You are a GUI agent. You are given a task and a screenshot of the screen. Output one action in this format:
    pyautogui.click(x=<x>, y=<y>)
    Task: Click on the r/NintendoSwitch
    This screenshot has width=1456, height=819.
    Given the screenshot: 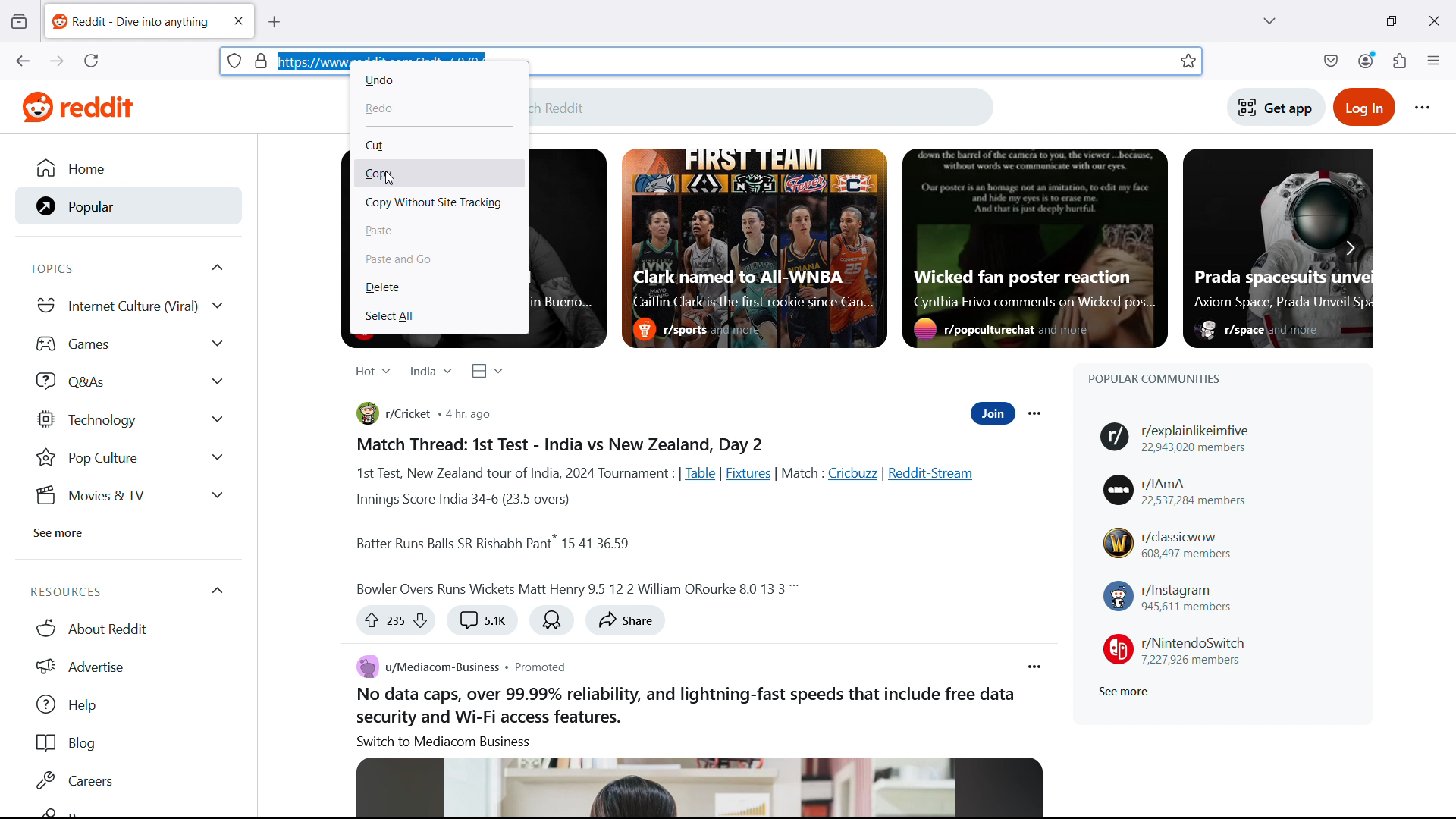 What is the action you would take?
    pyautogui.click(x=1175, y=648)
    